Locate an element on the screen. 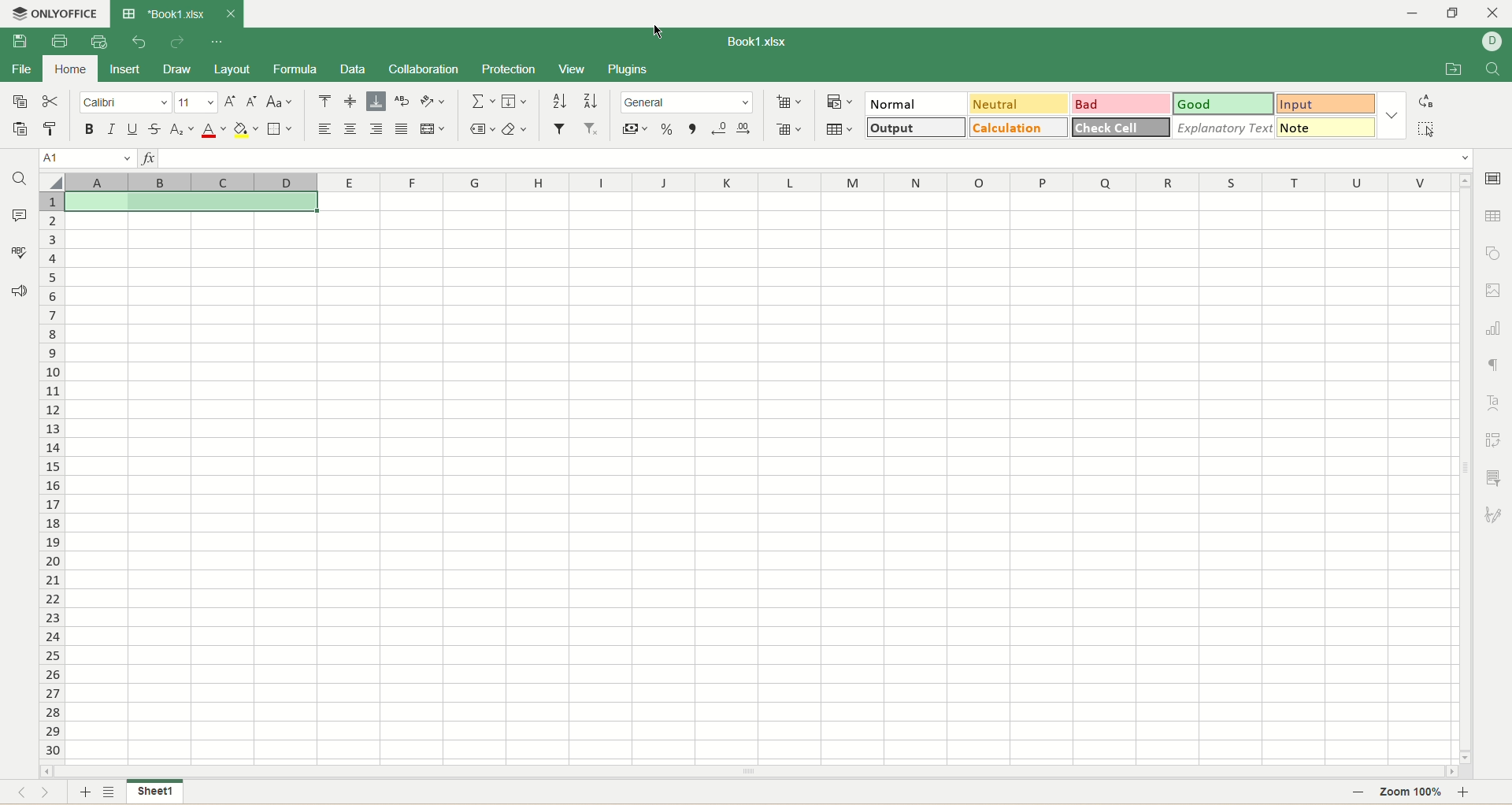 This screenshot has width=1512, height=805. remove filter is located at coordinates (590, 128).